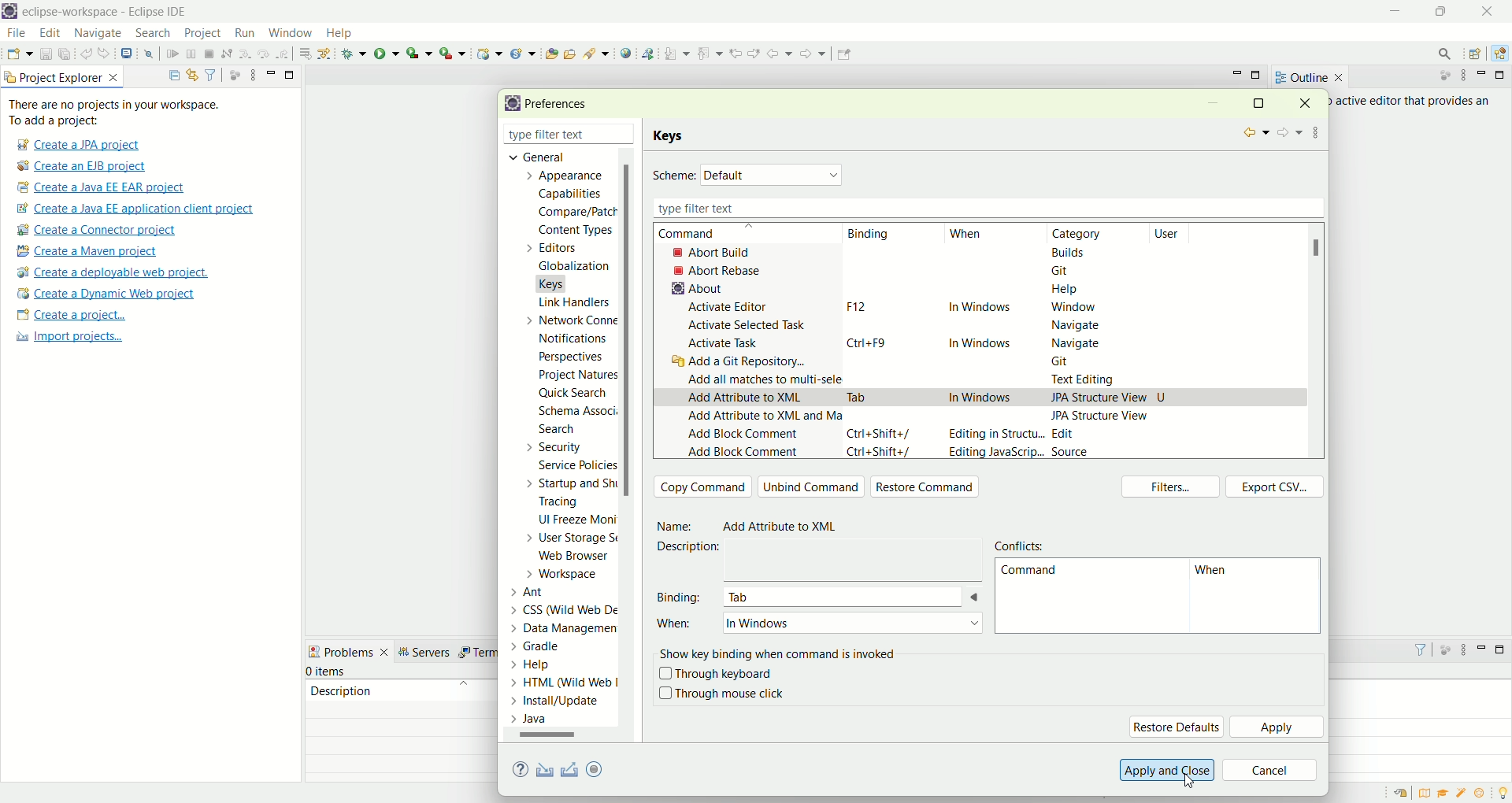 Image resolution: width=1512 pixels, height=803 pixels. What do you see at coordinates (858, 394) in the screenshot?
I see `Tab` at bounding box center [858, 394].